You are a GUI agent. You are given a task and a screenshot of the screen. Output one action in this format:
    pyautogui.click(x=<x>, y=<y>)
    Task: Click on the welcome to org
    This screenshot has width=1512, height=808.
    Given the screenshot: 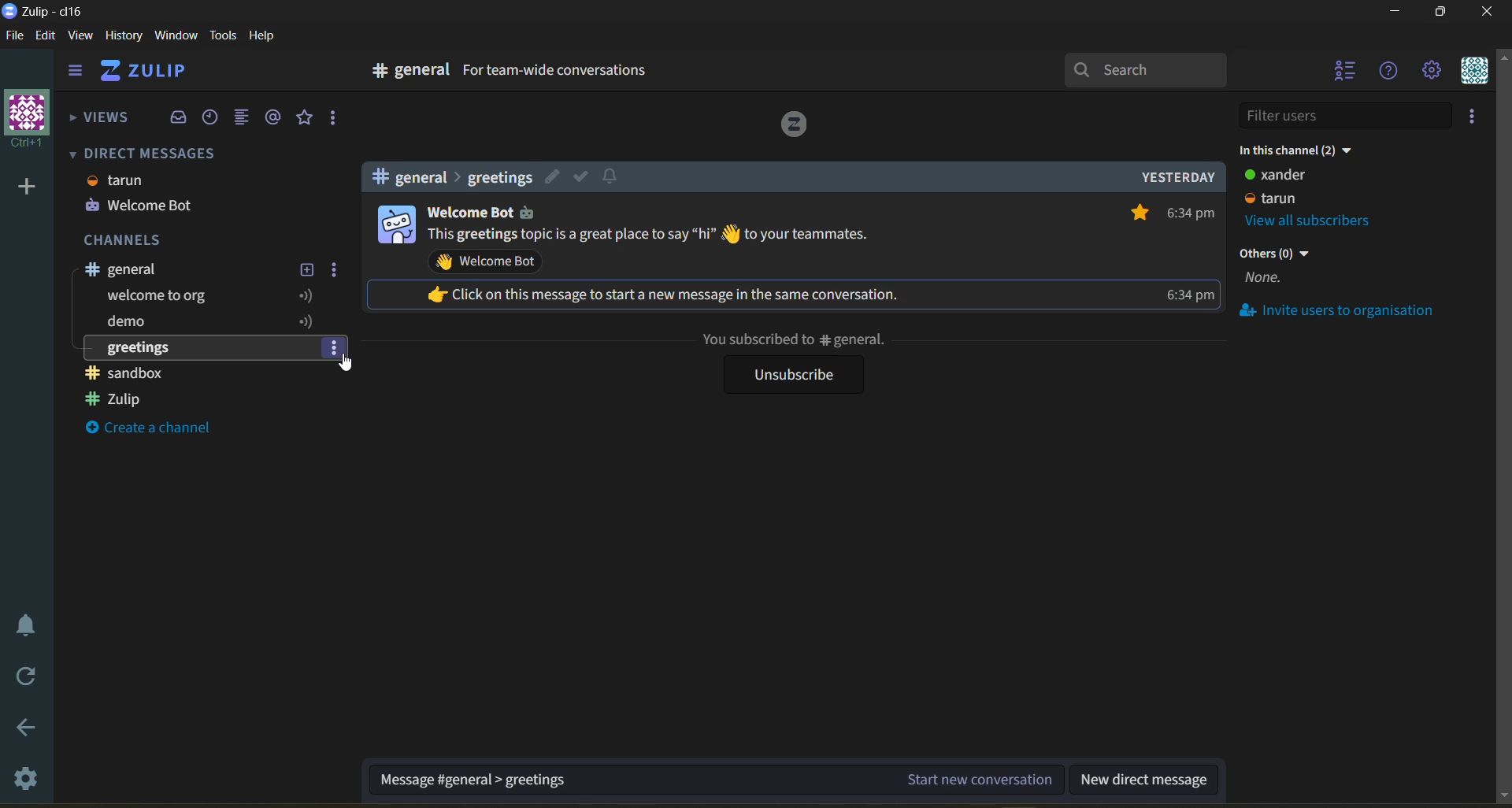 What is the action you would take?
    pyautogui.click(x=161, y=297)
    